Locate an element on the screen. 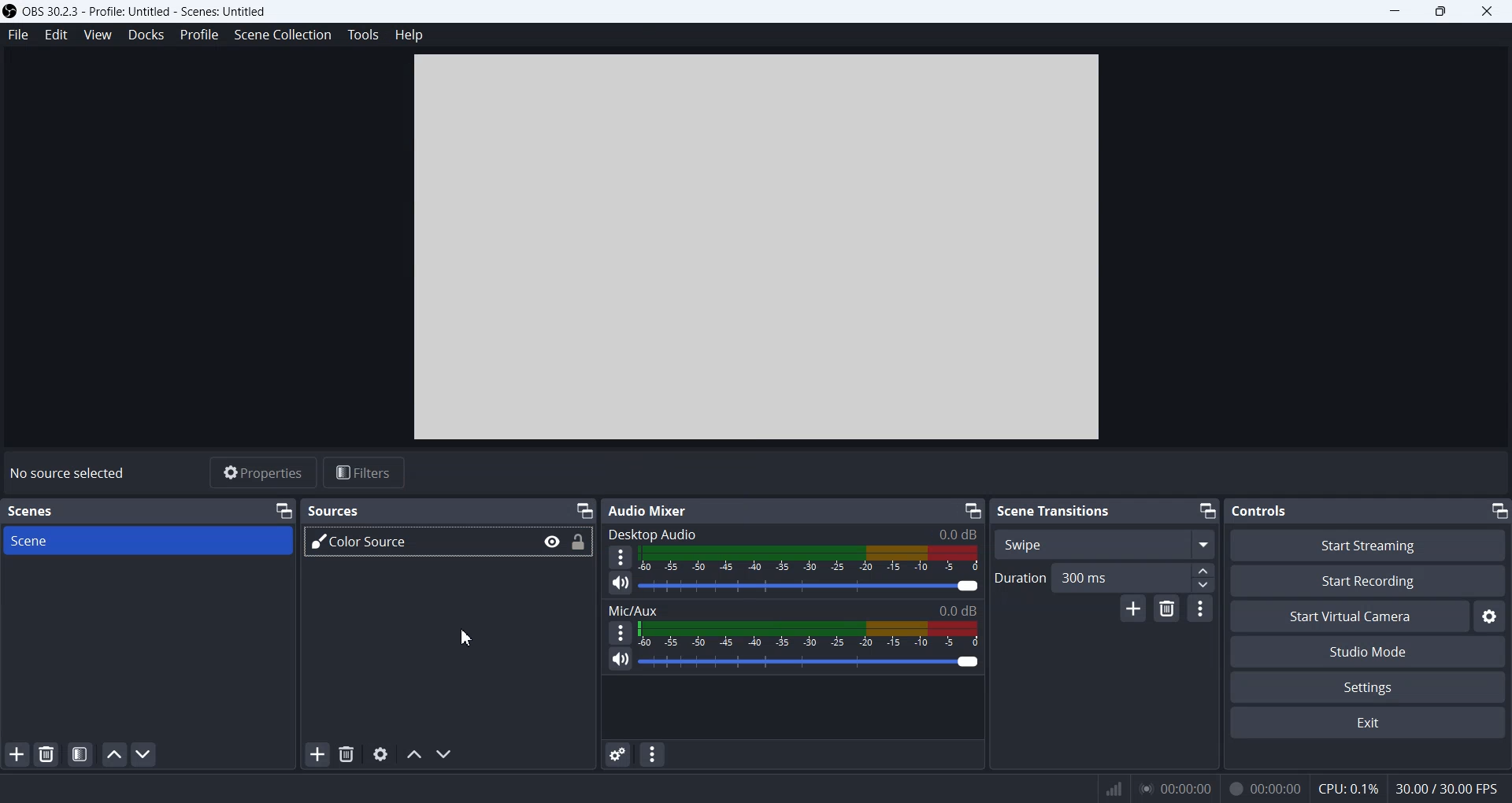 The image size is (1512, 803). Docks is located at coordinates (146, 34).